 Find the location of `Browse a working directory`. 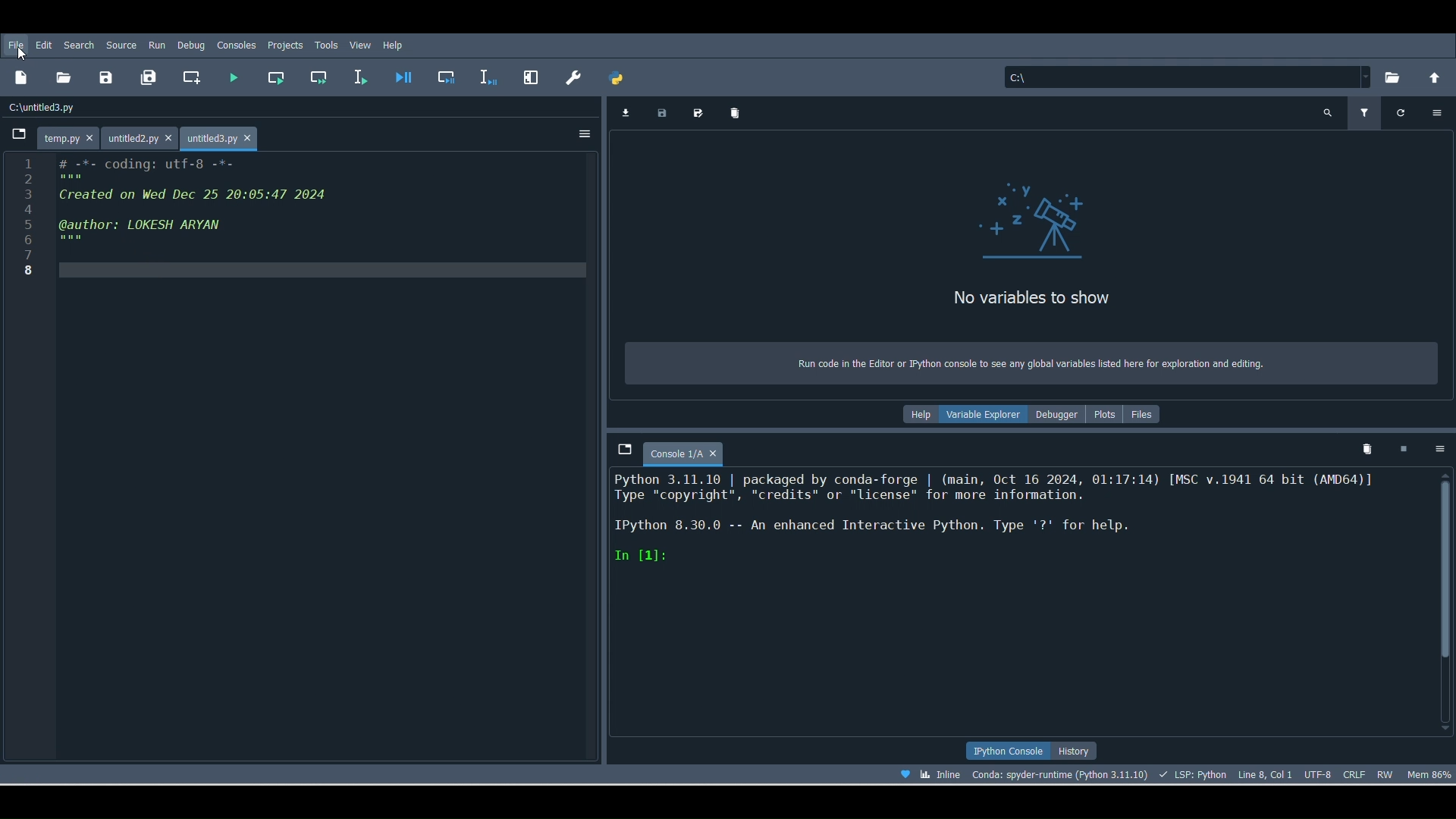

Browse a working directory is located at coordinates (1392, 78).